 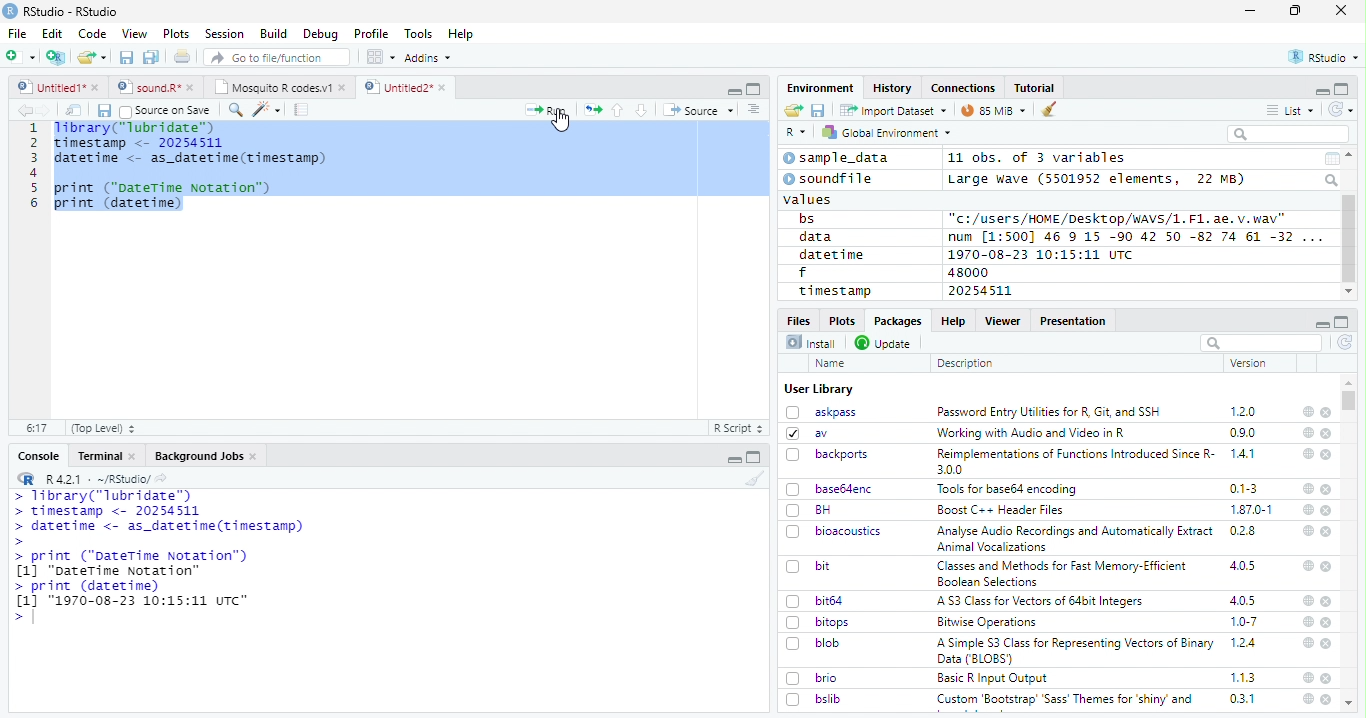 What do you see at coordinates (811, 510) in the screenshot?
I see `BH` at bounding box center [811, 510].